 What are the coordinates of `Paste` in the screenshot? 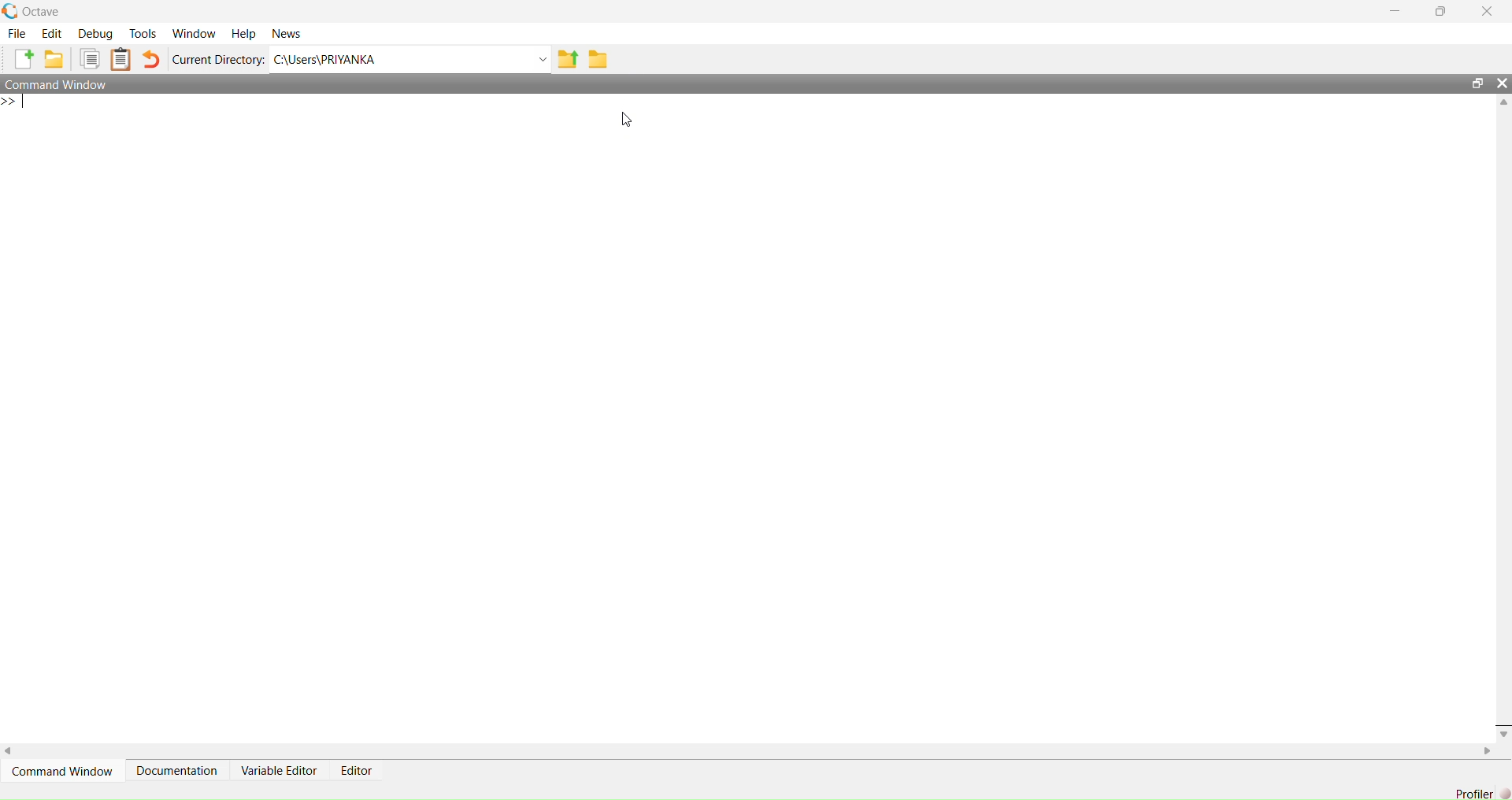 It's located at (121, 59).